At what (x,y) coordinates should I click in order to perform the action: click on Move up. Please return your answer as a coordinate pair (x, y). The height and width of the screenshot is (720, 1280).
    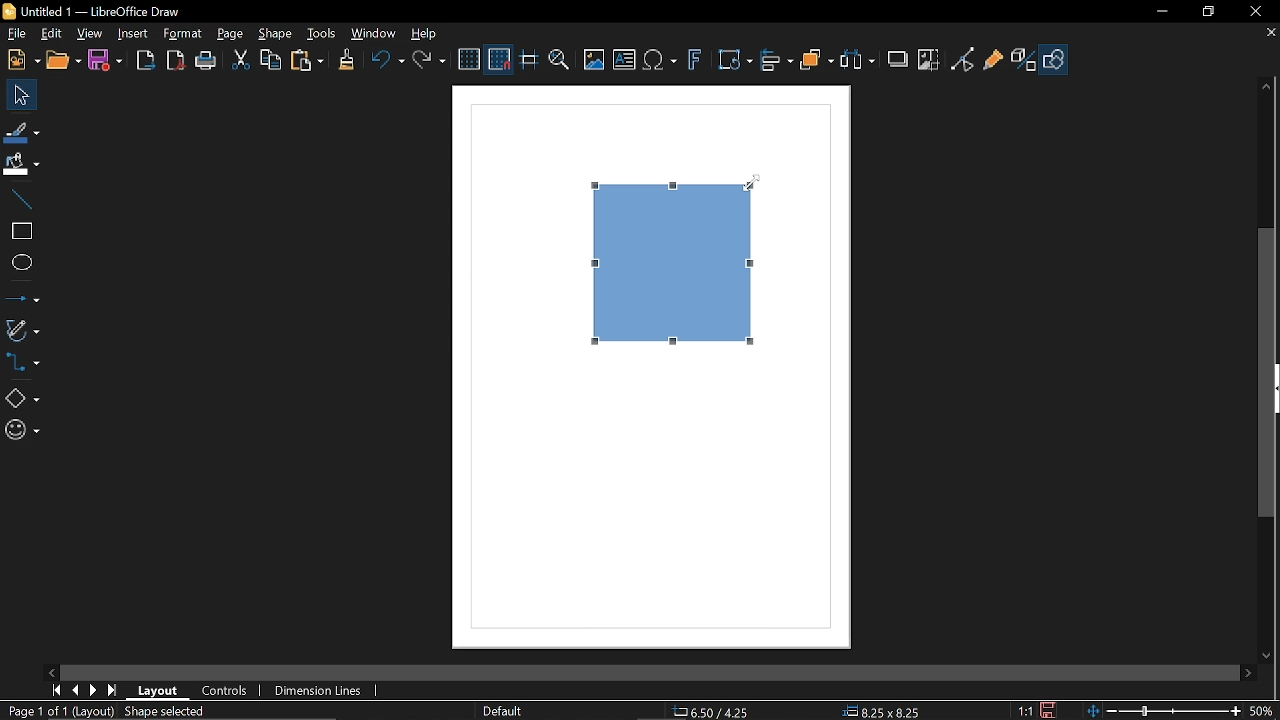
    Looking at the image, I should click on (1264, 83).